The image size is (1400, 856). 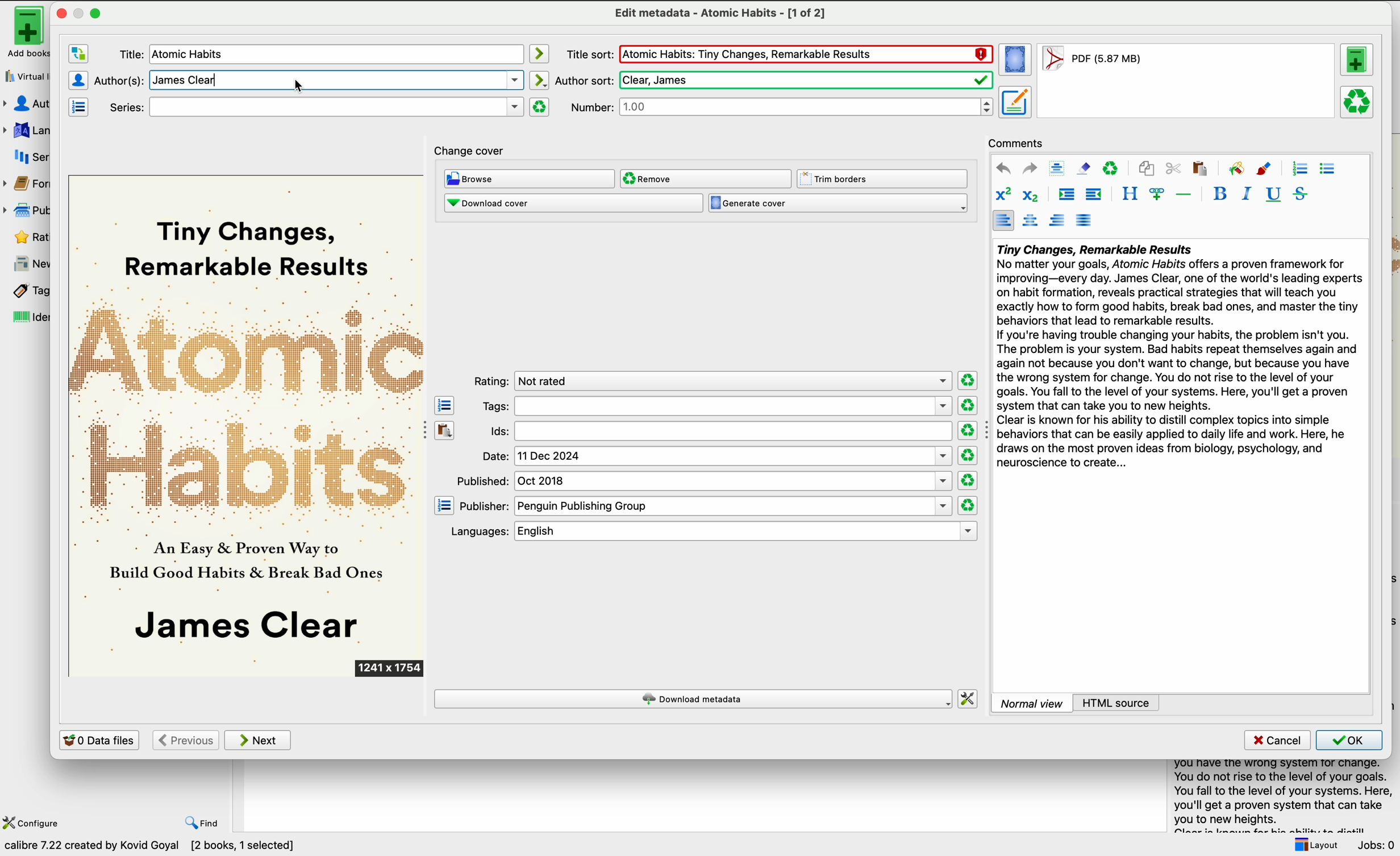 What do you see at coordinates (26, 264) in the screenshot?
I see `news` at bounding box center [26, 264].